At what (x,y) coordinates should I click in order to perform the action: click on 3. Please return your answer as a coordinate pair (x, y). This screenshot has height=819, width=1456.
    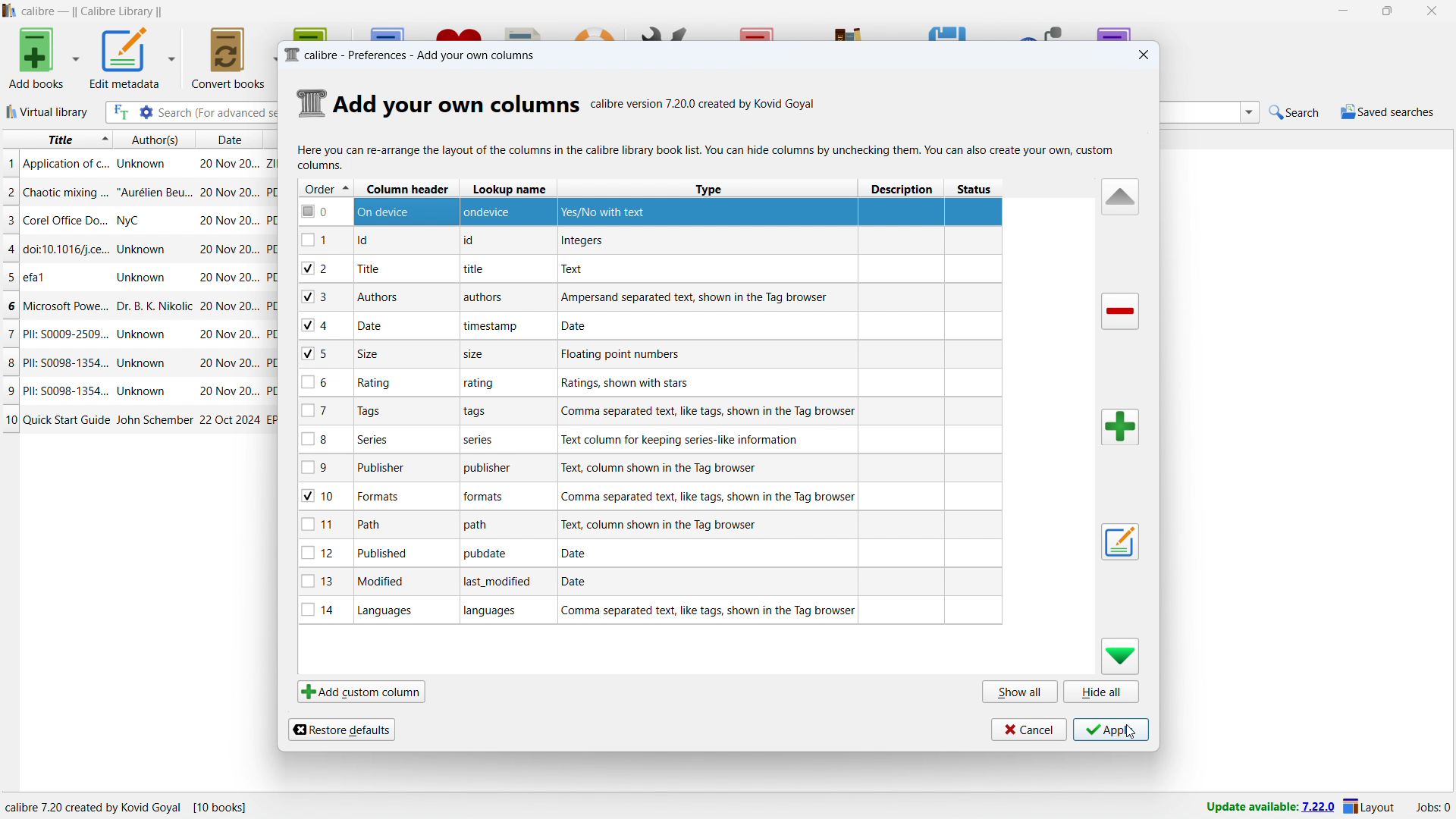
    Looking at the image, I should click on (9, 220).